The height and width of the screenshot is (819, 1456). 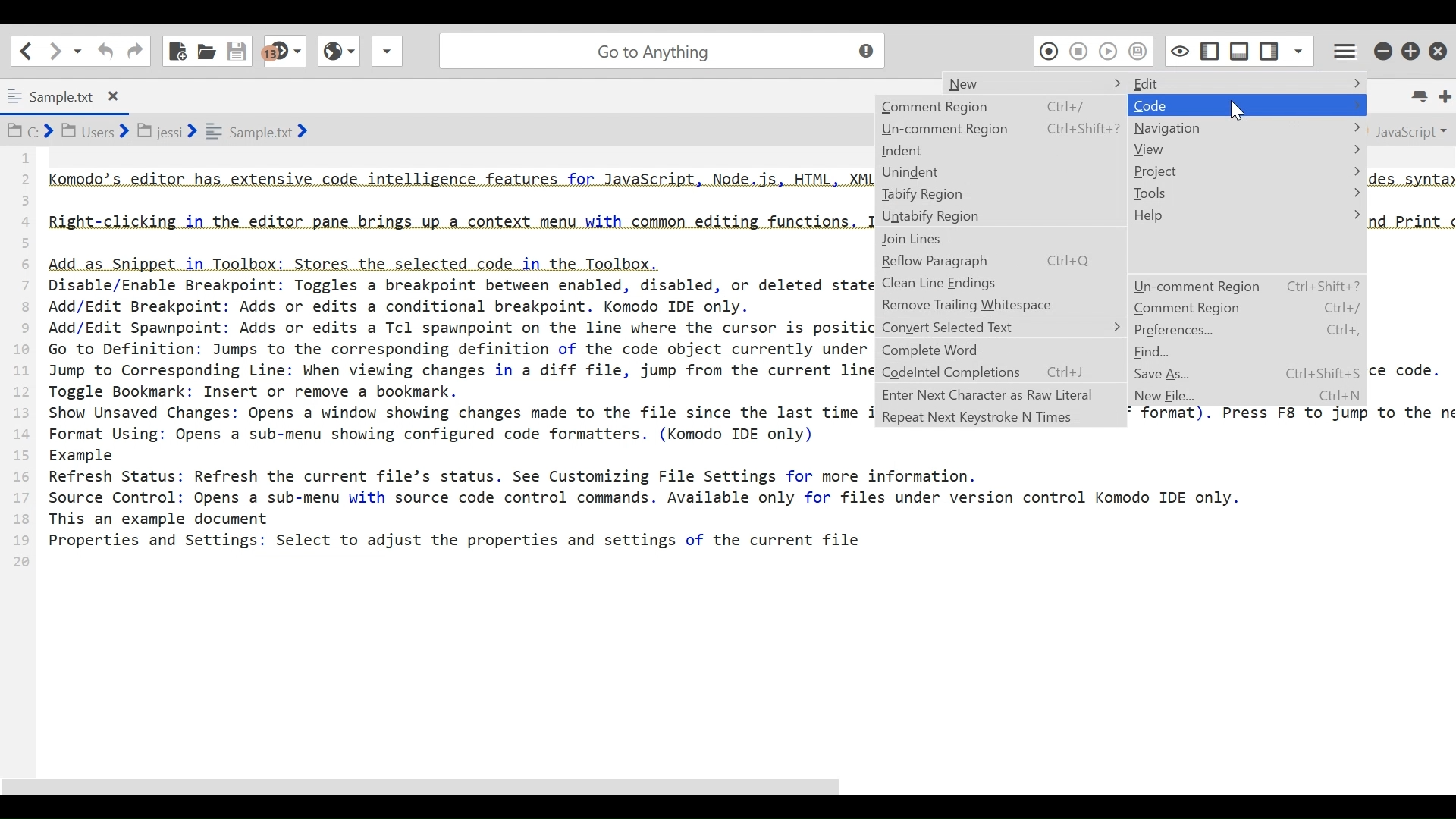 What do you see at coordinates (1246, 308) in the screenshot?
I see `Comment Region` at bounding box center [1246, 308].